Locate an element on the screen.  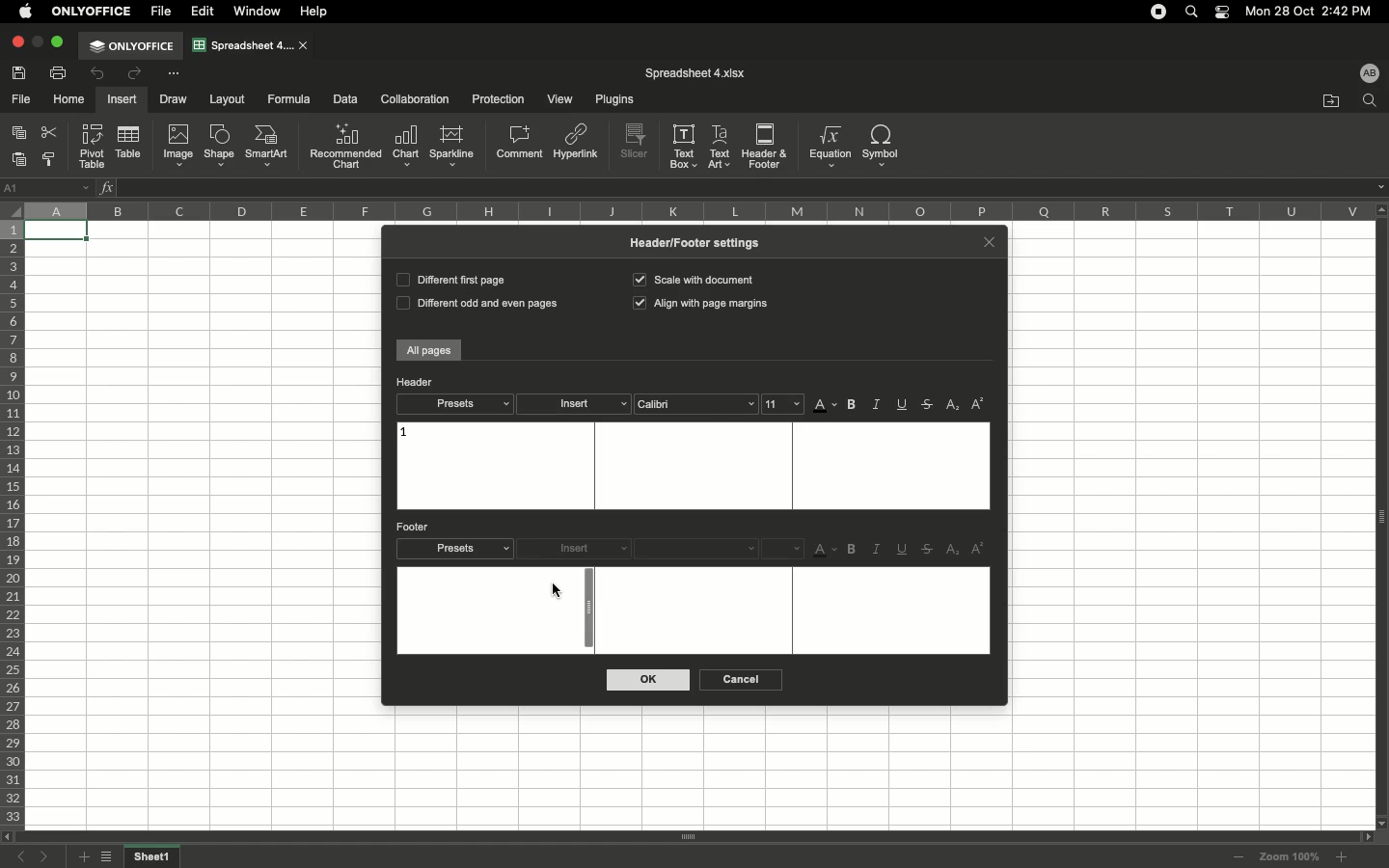
Header is located at coordinates (415, 382).